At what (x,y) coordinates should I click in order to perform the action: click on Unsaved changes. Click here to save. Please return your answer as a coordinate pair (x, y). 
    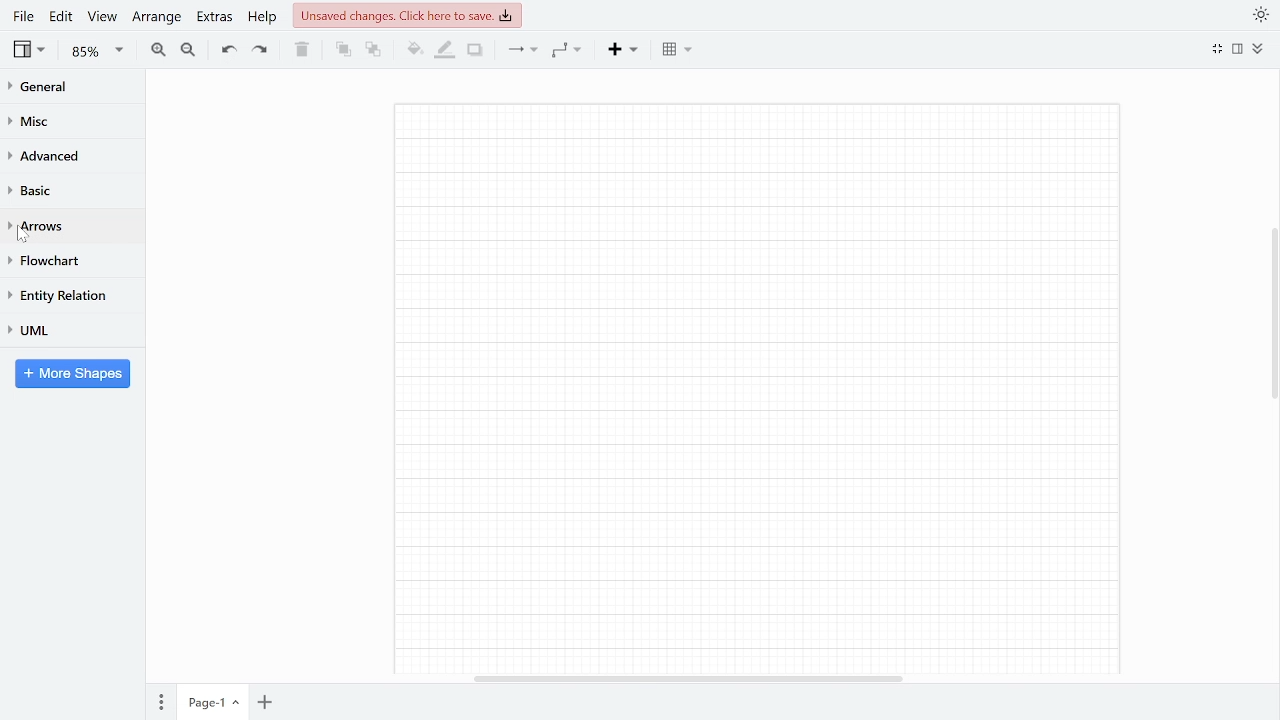
    Looking at the image, I should click on (406, 16).